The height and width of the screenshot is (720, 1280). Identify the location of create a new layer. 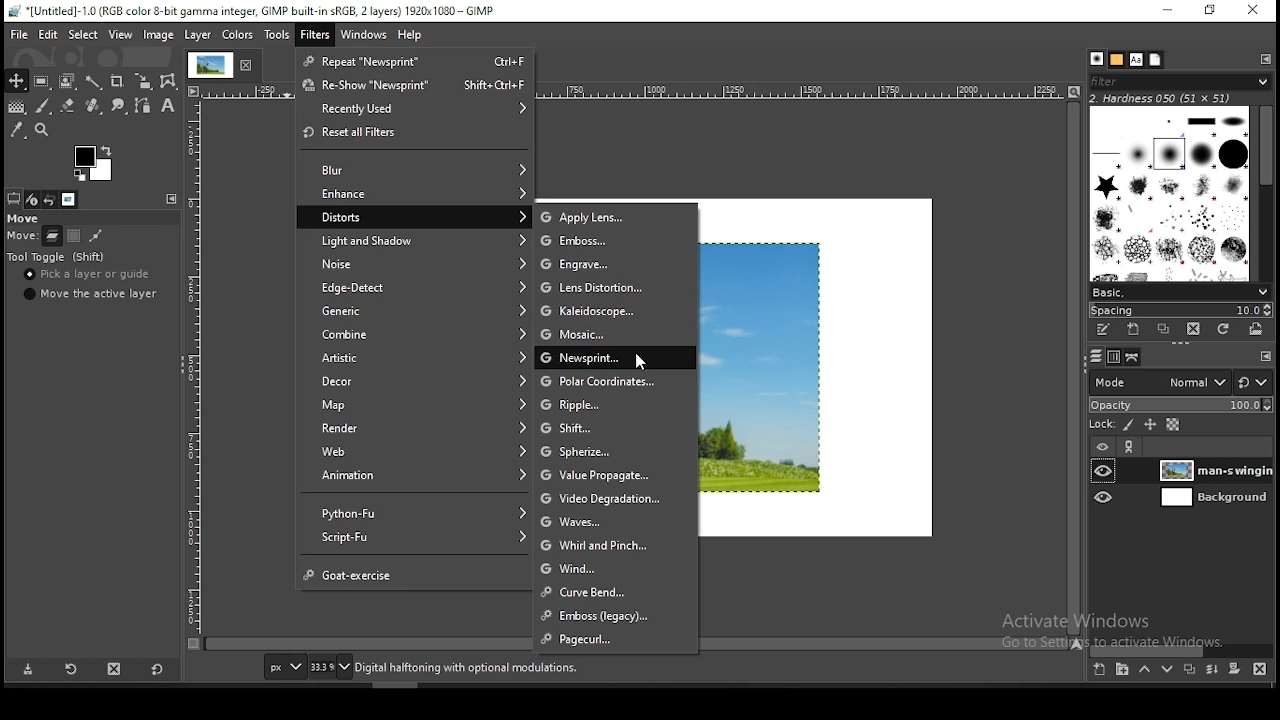
(1100, 669).